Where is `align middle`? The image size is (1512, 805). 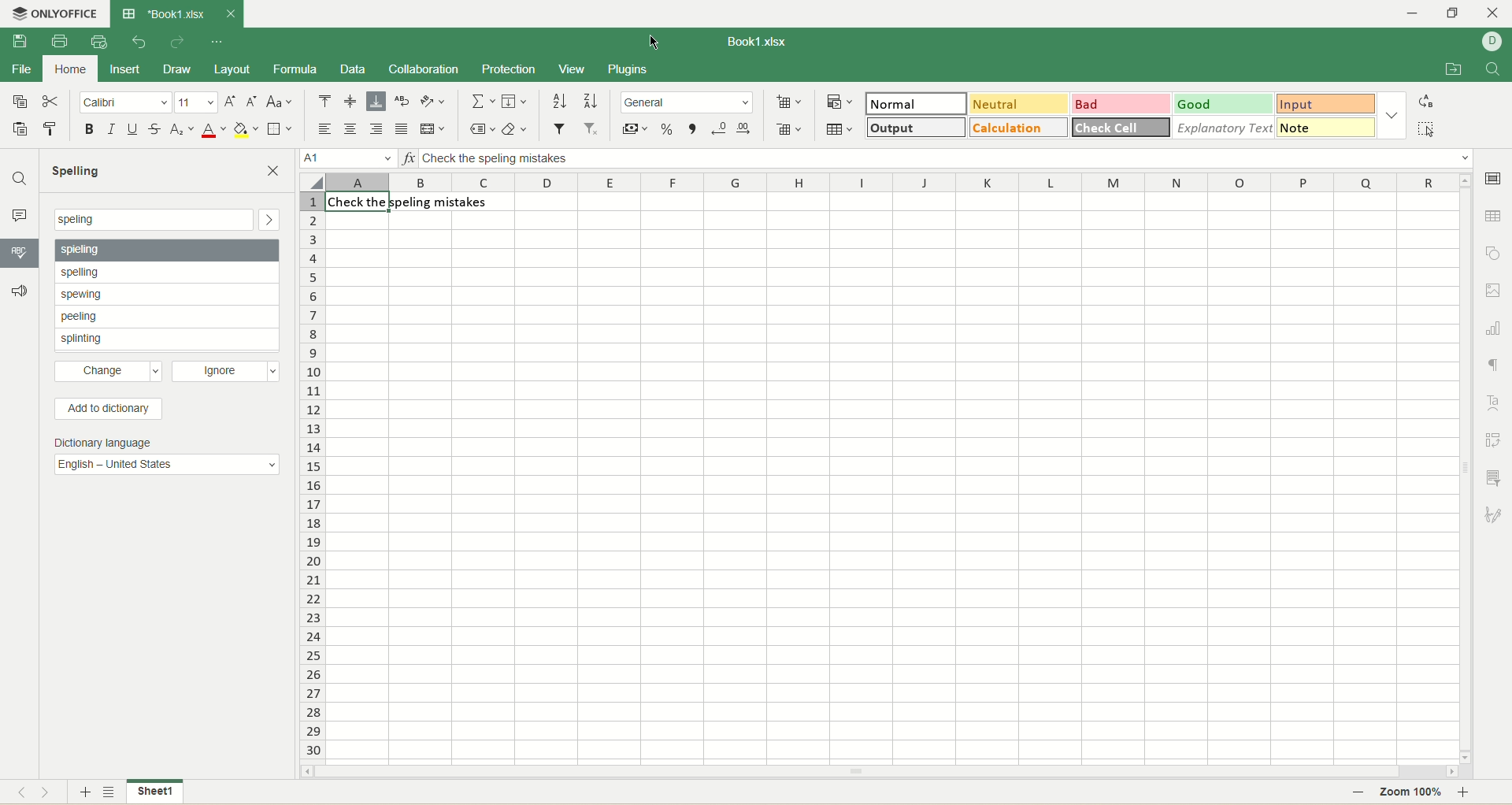
align middle is located at coordinates (350, 101).